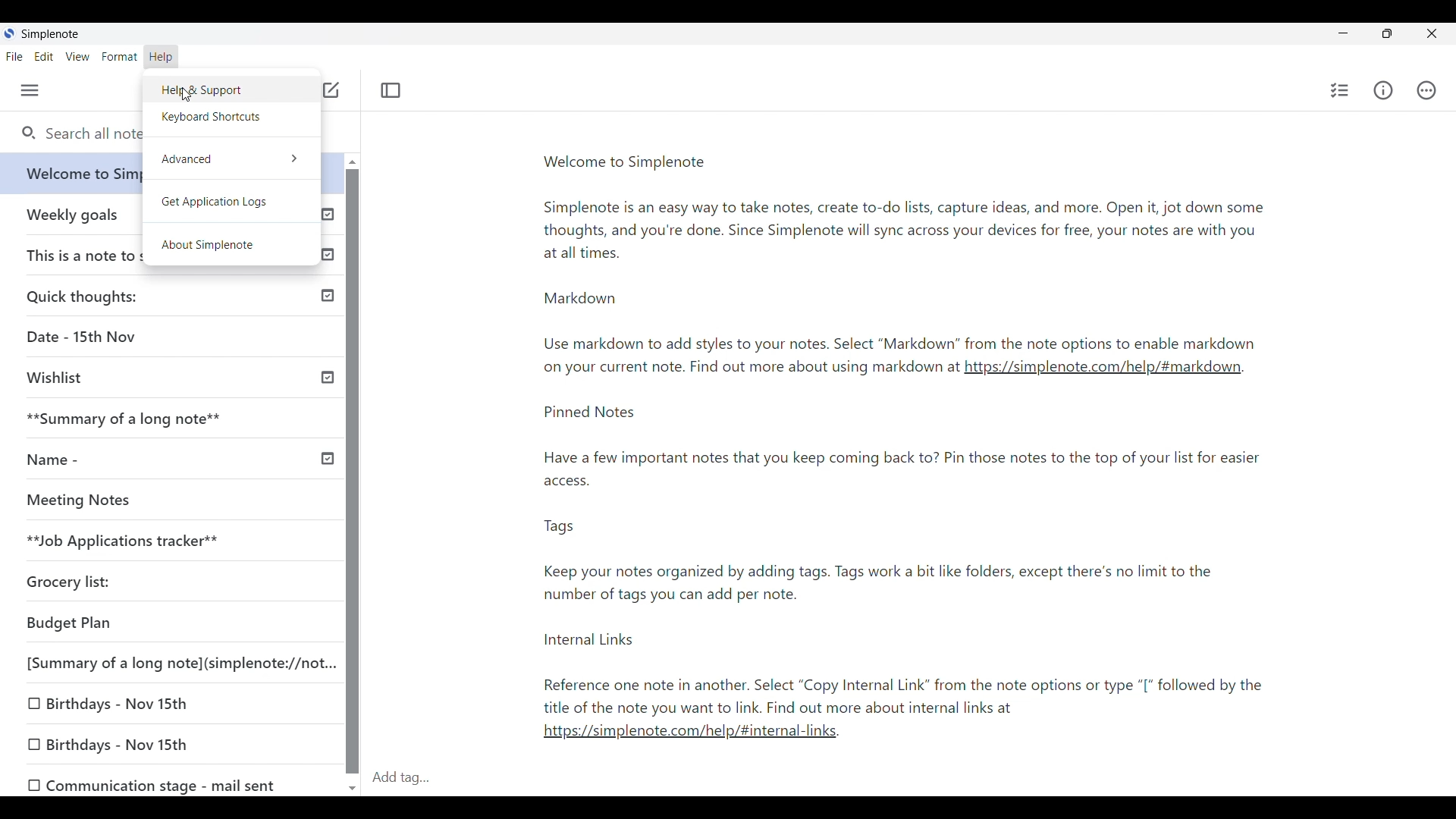 This screenshot has height=819, width=1456. I want to click on Markdown, so click(578, 298).